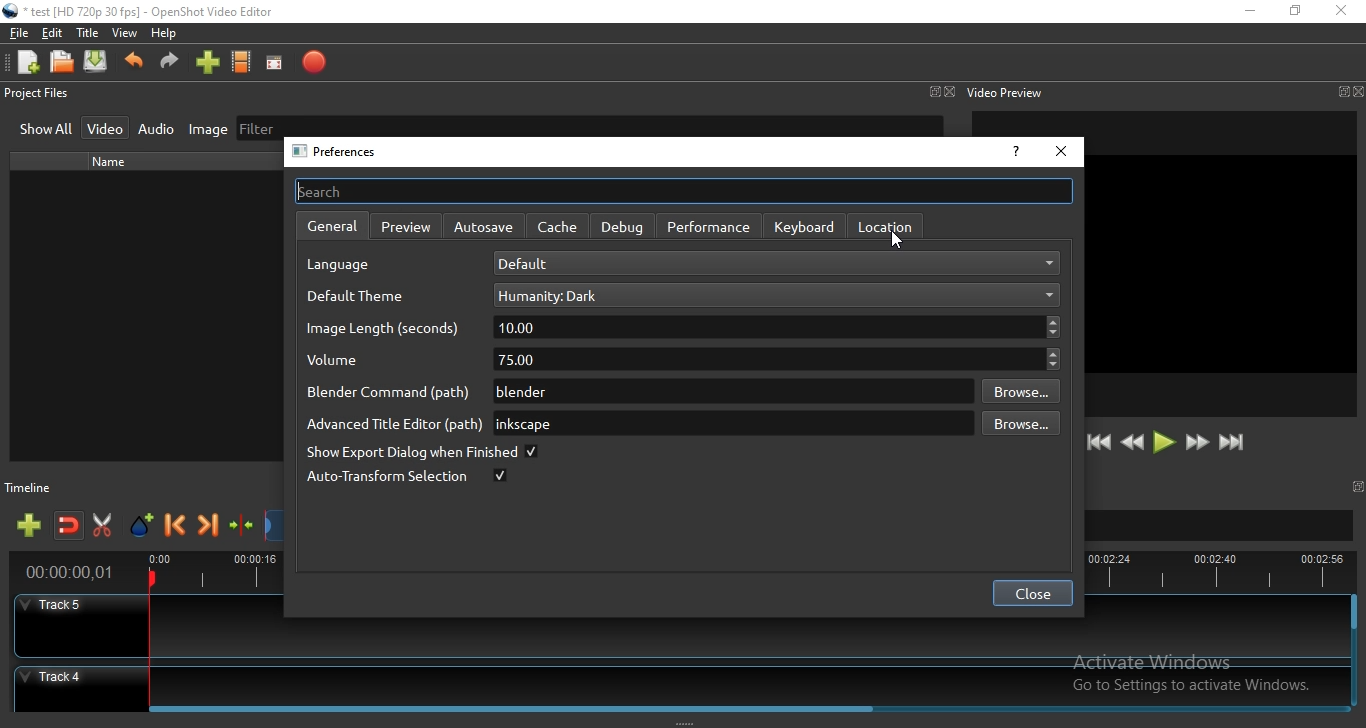 This screenshot has height=728, width=1366. I want to click on Show all, so click(46, 131).